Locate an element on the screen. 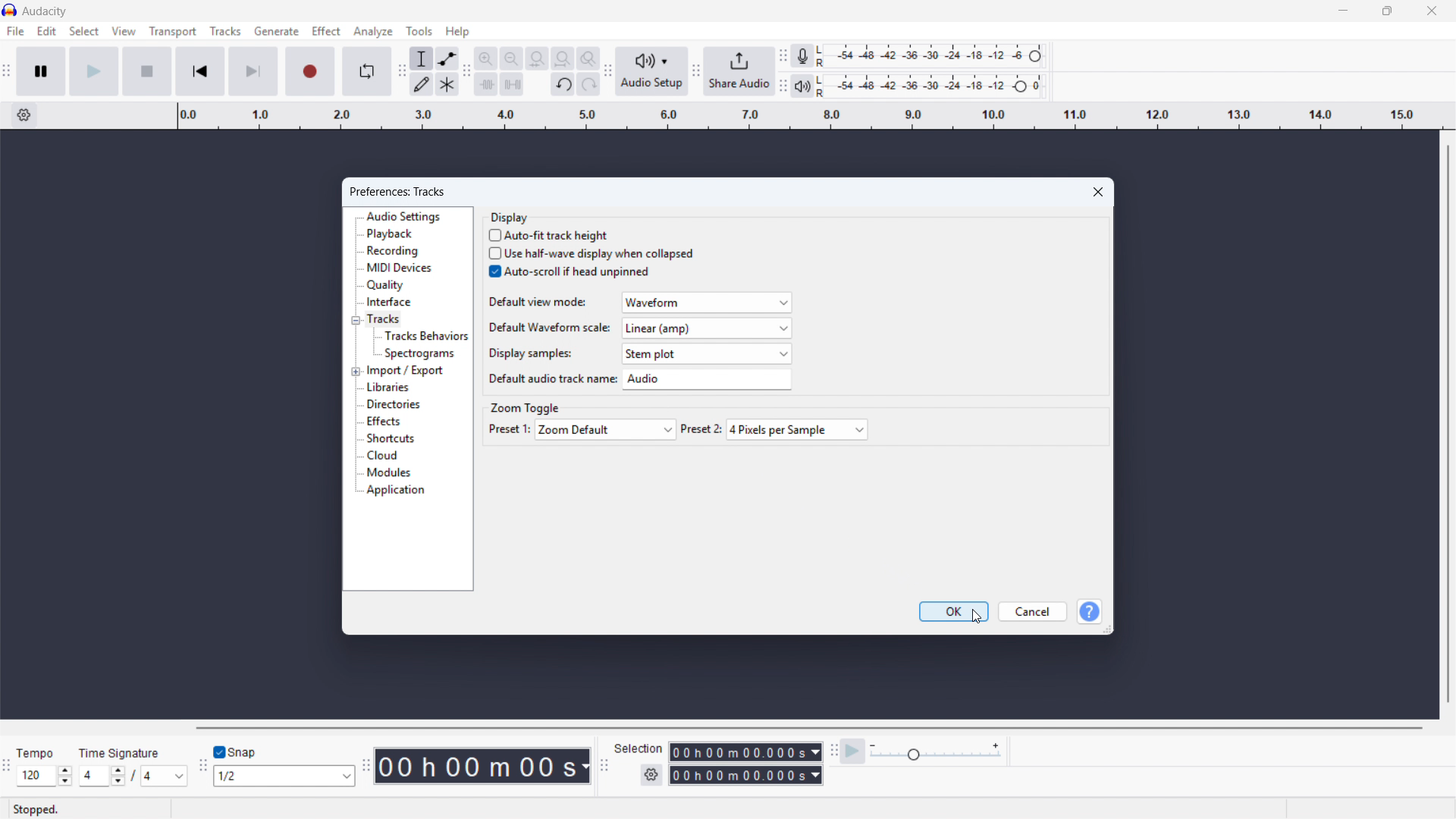  share audio toolbar is located at coordinates (695, 71).